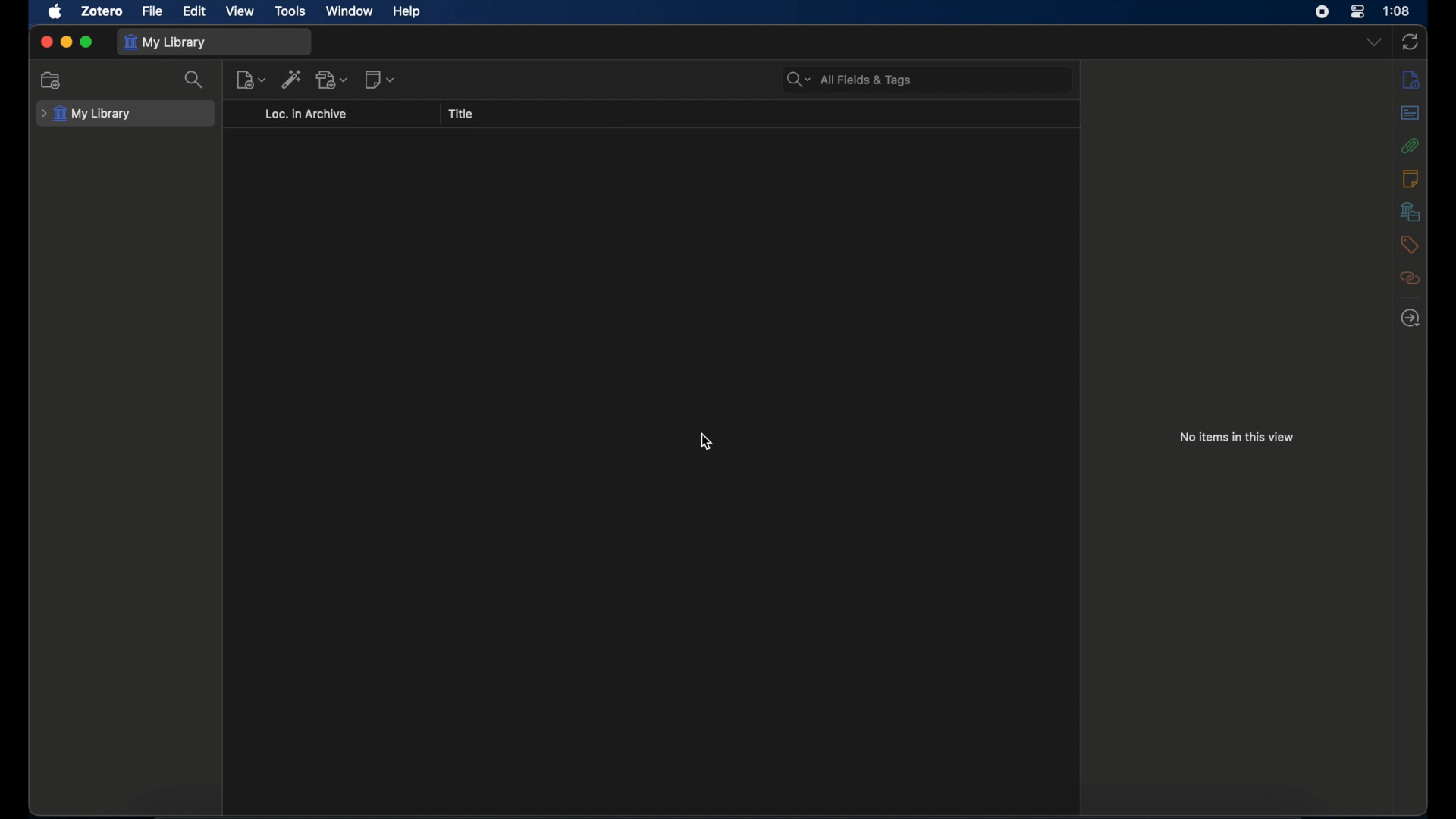  What do you see at coordinates (153, 11) in the screenshot?
I see `file` at bounding box center [153, 11].